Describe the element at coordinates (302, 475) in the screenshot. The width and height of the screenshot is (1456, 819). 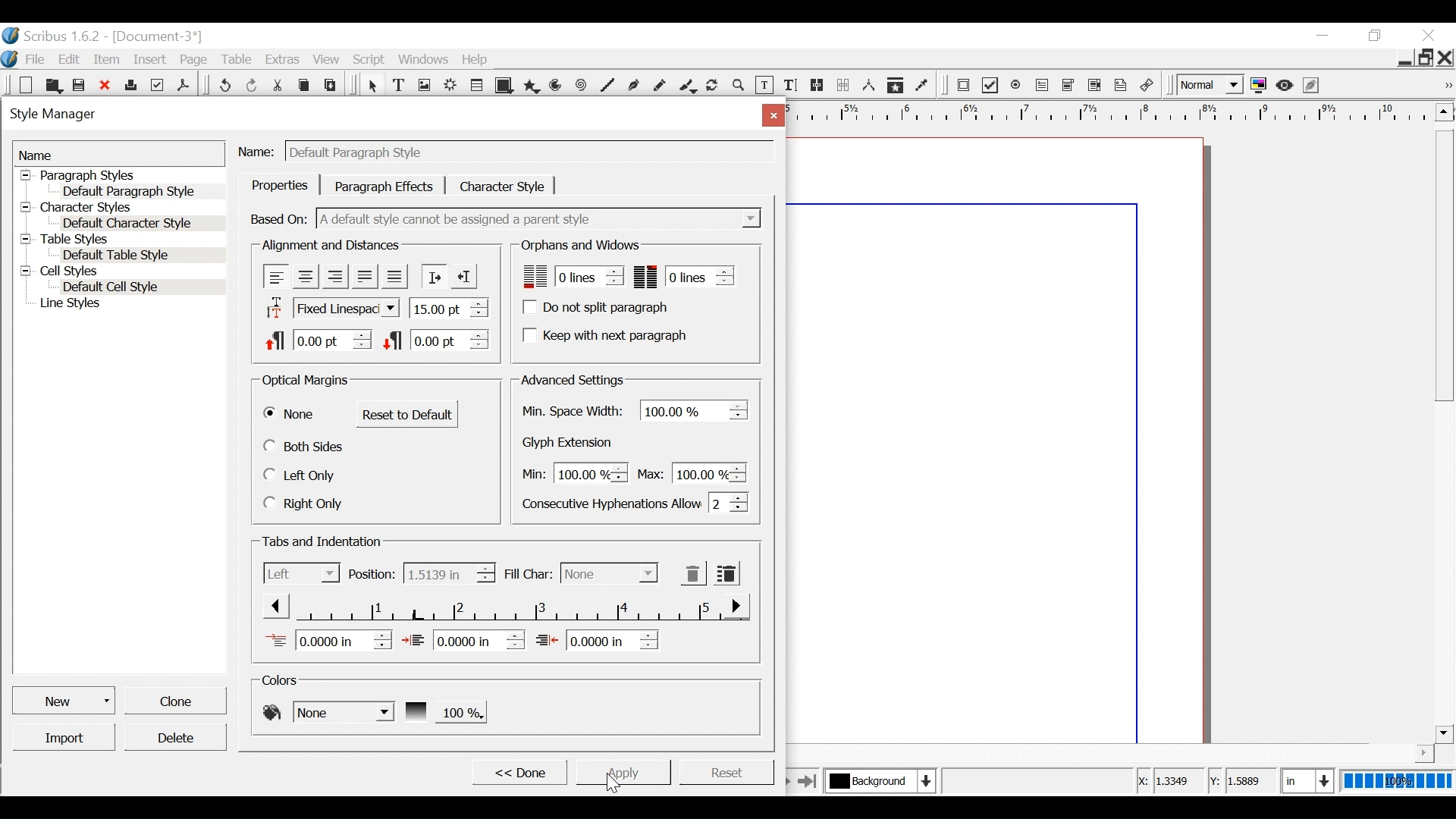
I see `(un)Select left only` at that location.